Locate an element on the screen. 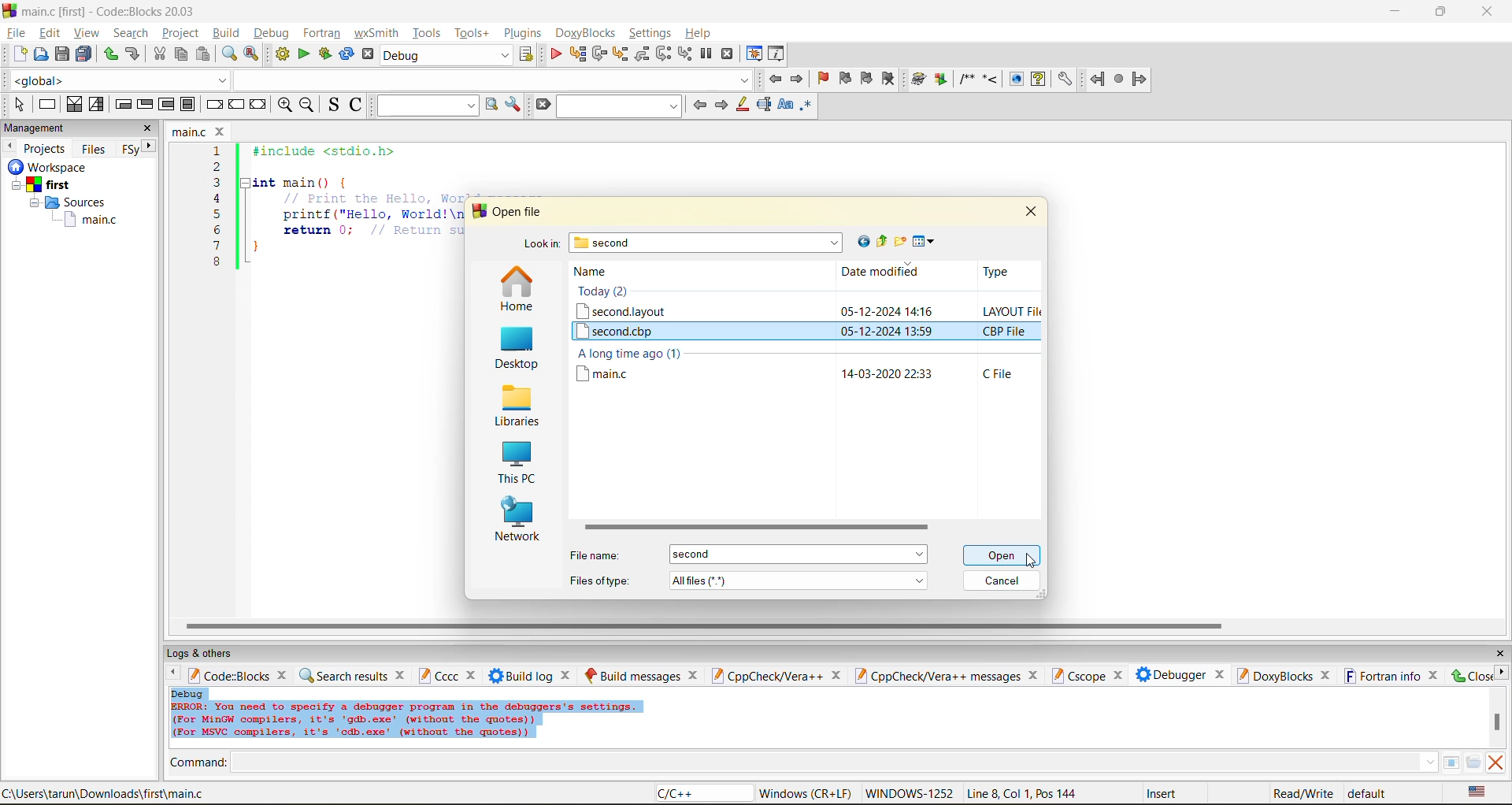  rebuild is located at coordinates (346, 54).